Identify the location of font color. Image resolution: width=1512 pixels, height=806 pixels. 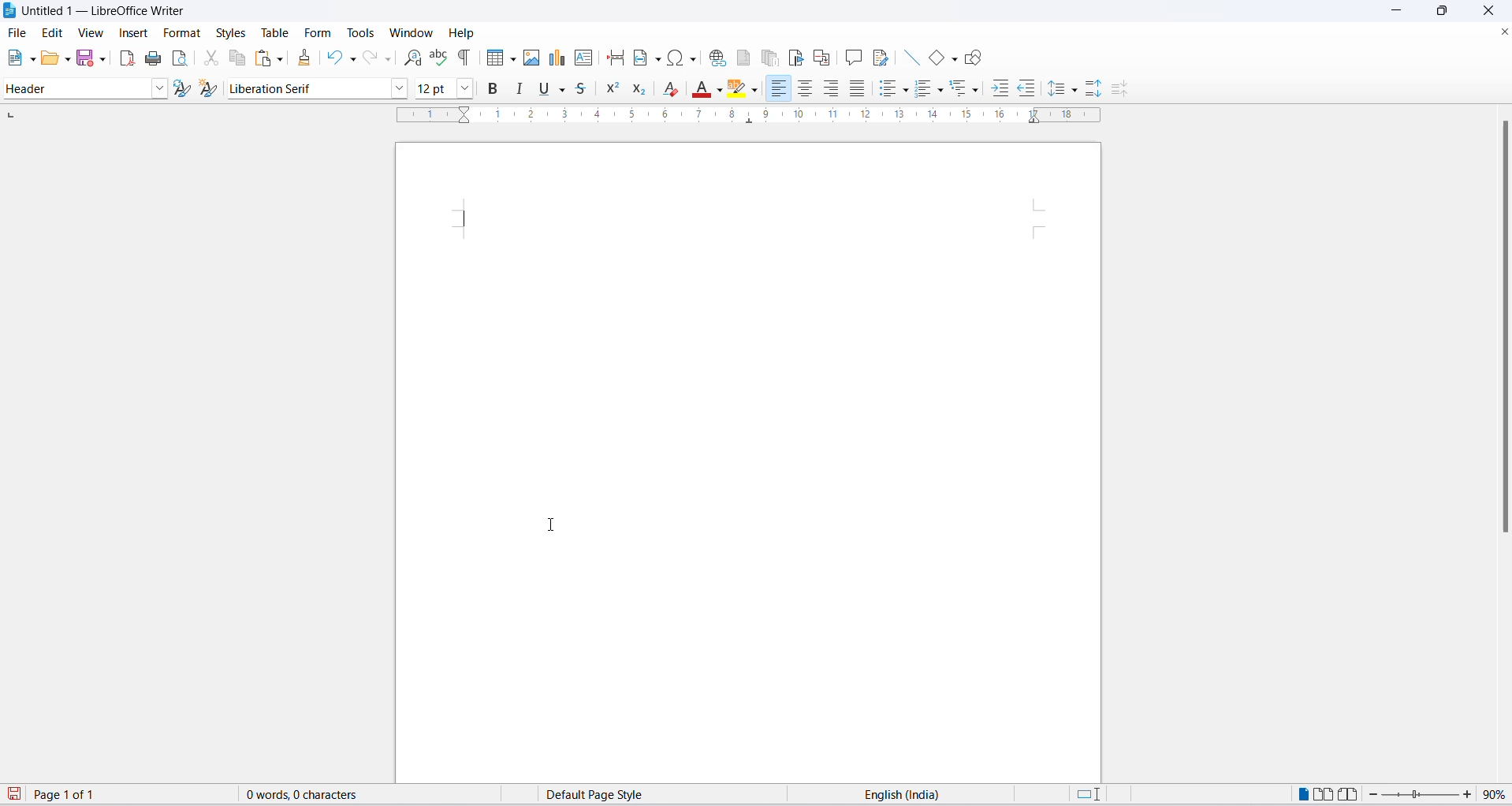
(699, 91).